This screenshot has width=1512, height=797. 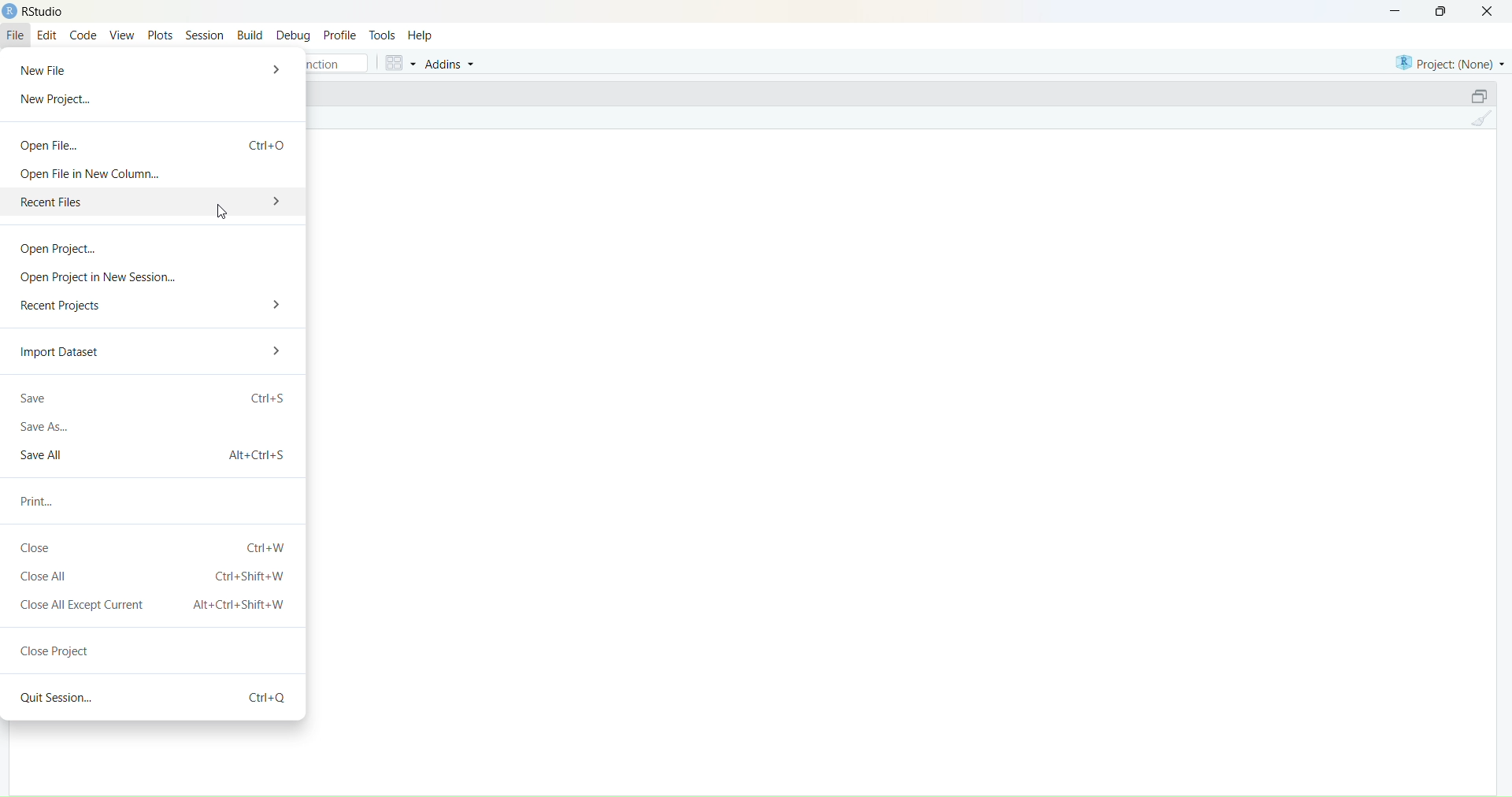 I want to click on Project (None), so click(x=1447, y=61).